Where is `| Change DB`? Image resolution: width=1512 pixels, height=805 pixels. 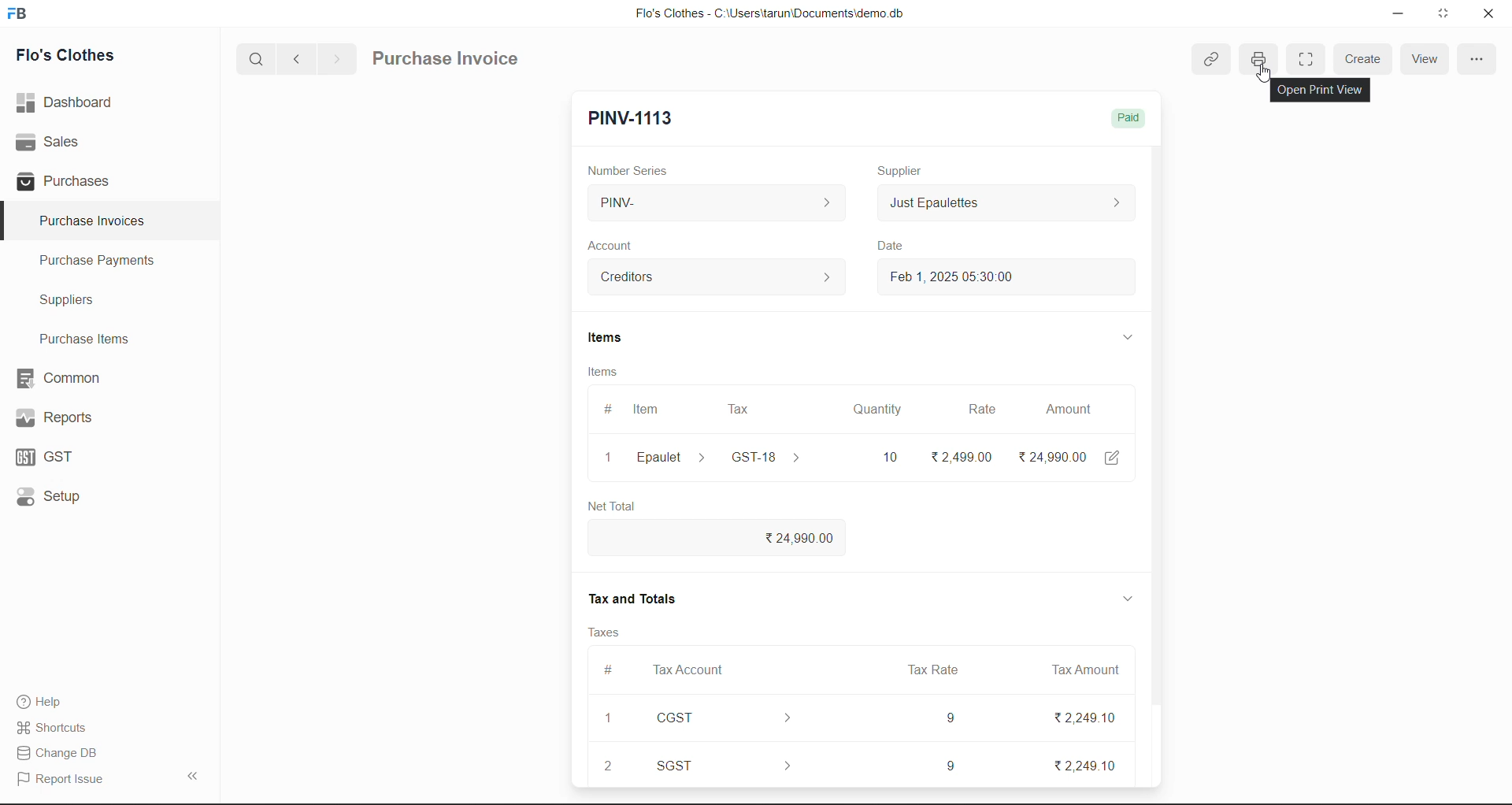 | Change DB is located at coordinates (61, 752).